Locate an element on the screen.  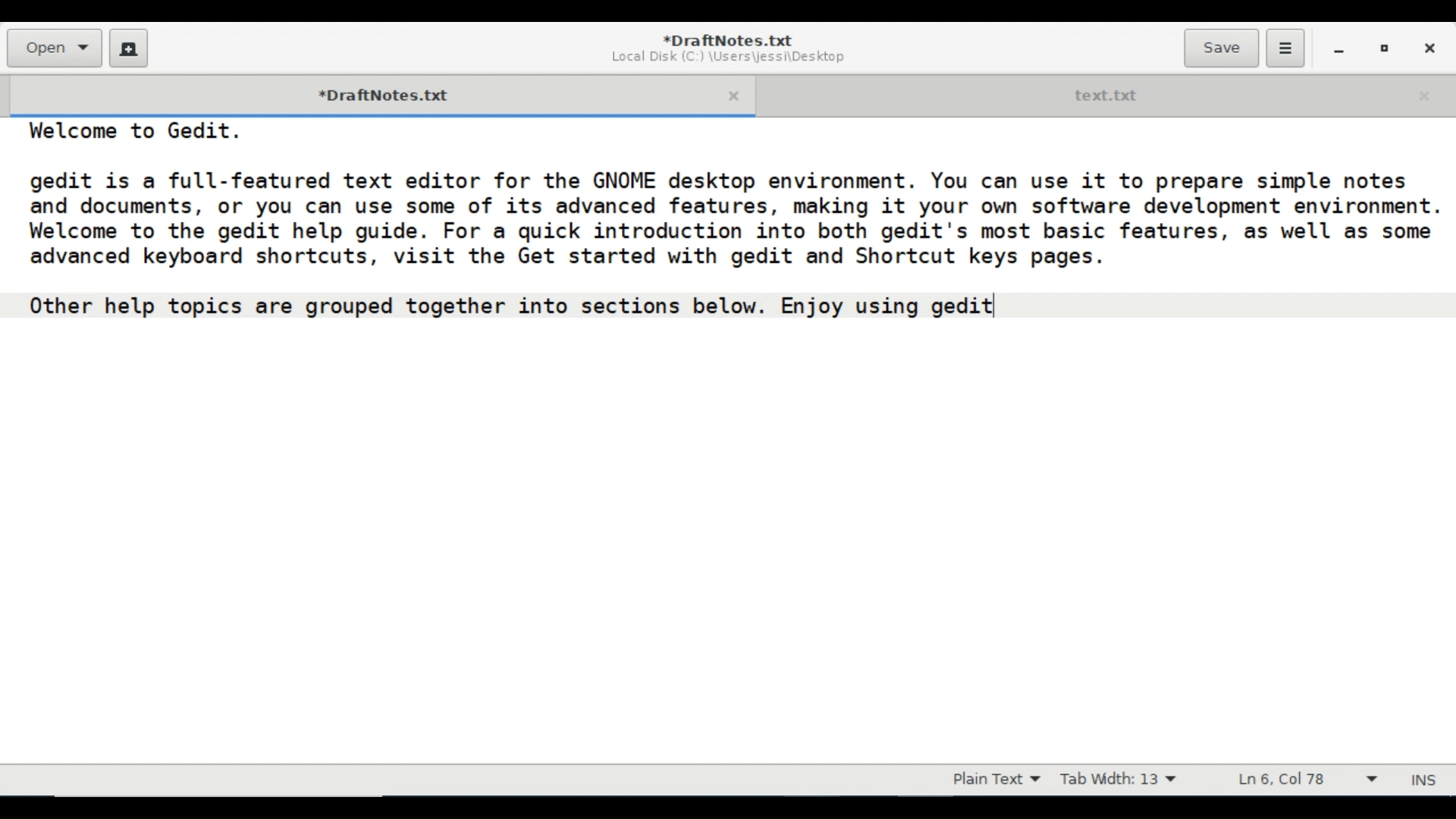
text cursor is located at coordinates (1000, 305).